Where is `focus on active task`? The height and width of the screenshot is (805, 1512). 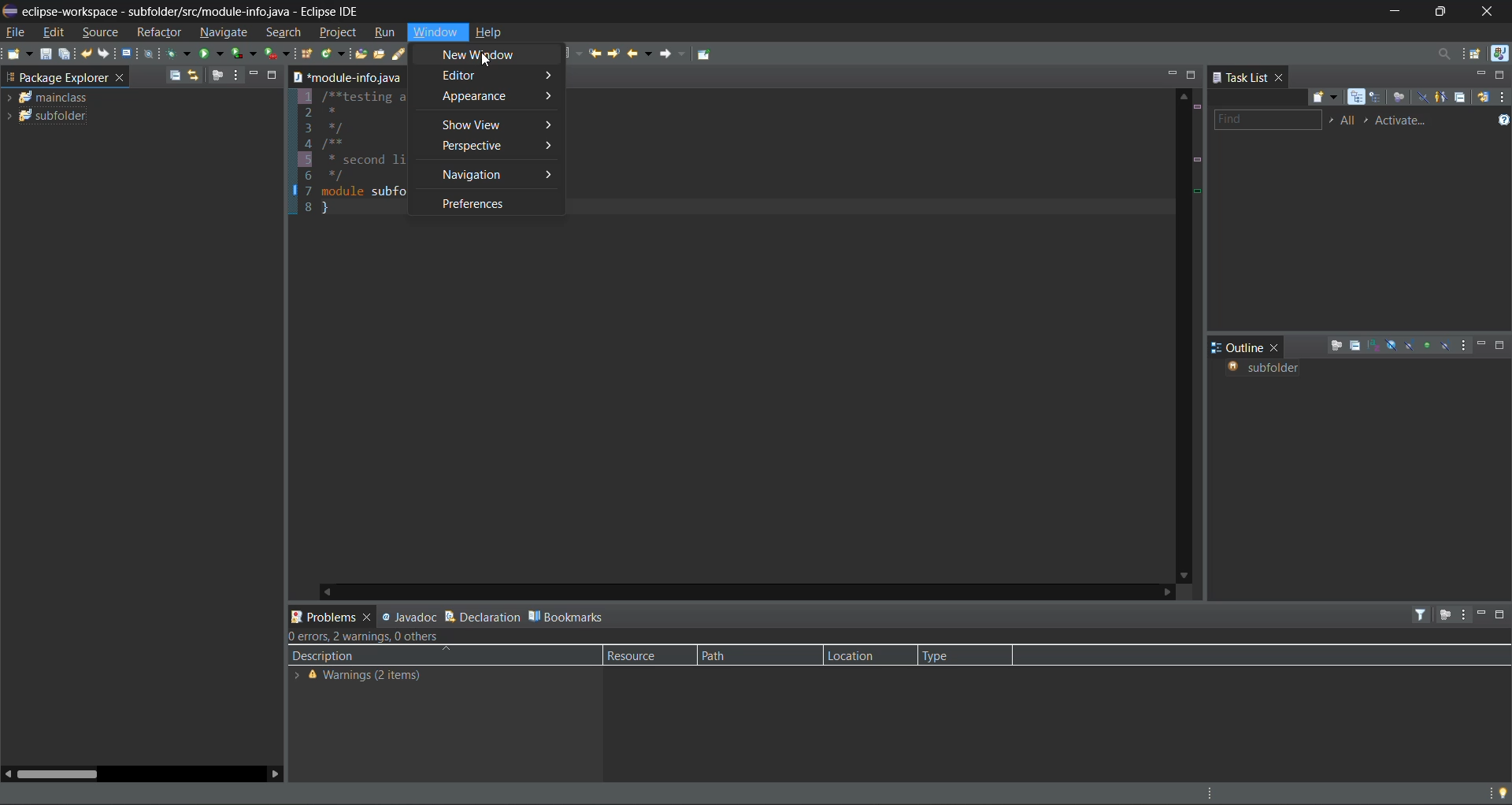 focus on active task is located at coordinates (1445, 614).